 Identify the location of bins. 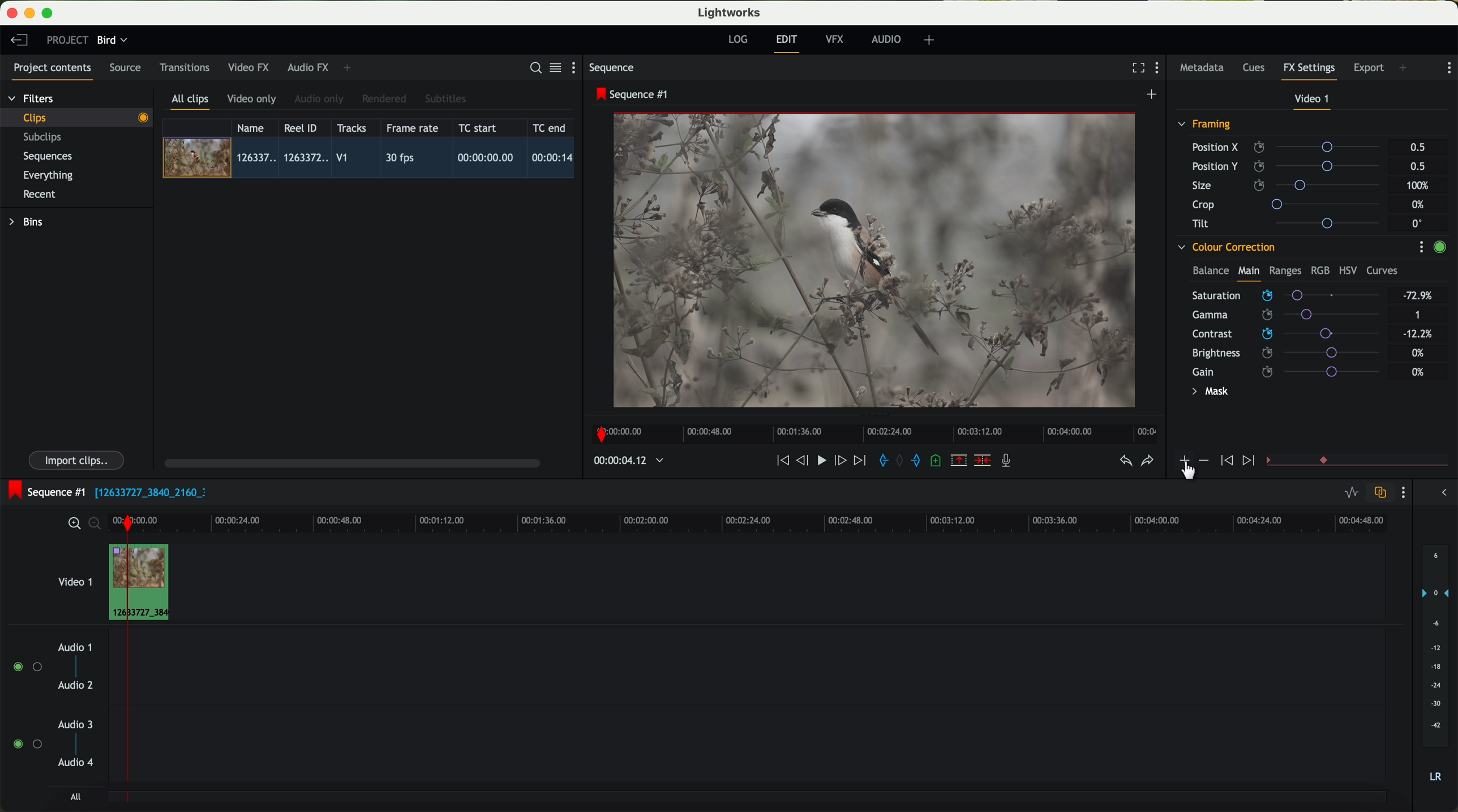
(28, 222).